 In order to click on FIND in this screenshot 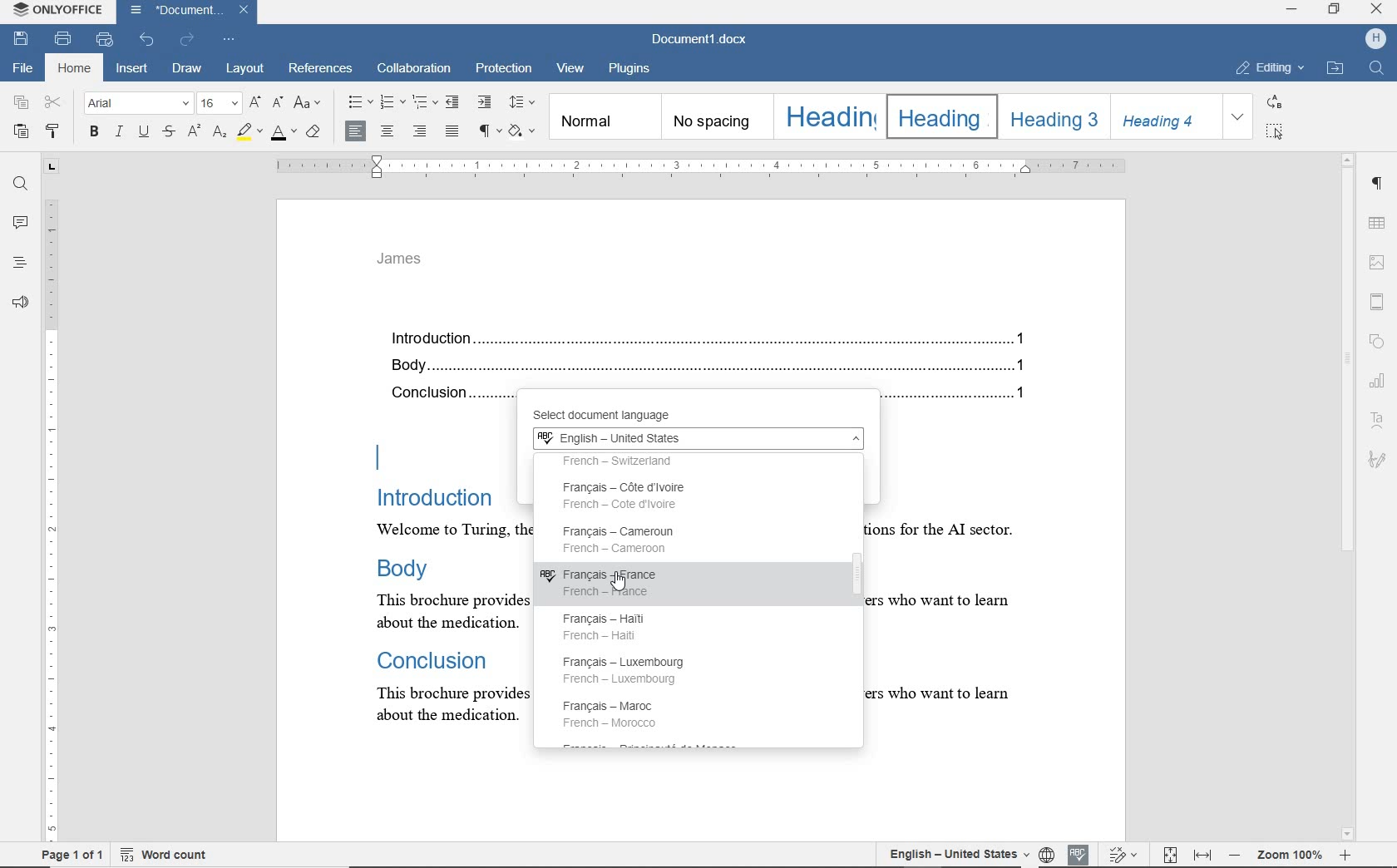, I will do `click(1379, 70)`.